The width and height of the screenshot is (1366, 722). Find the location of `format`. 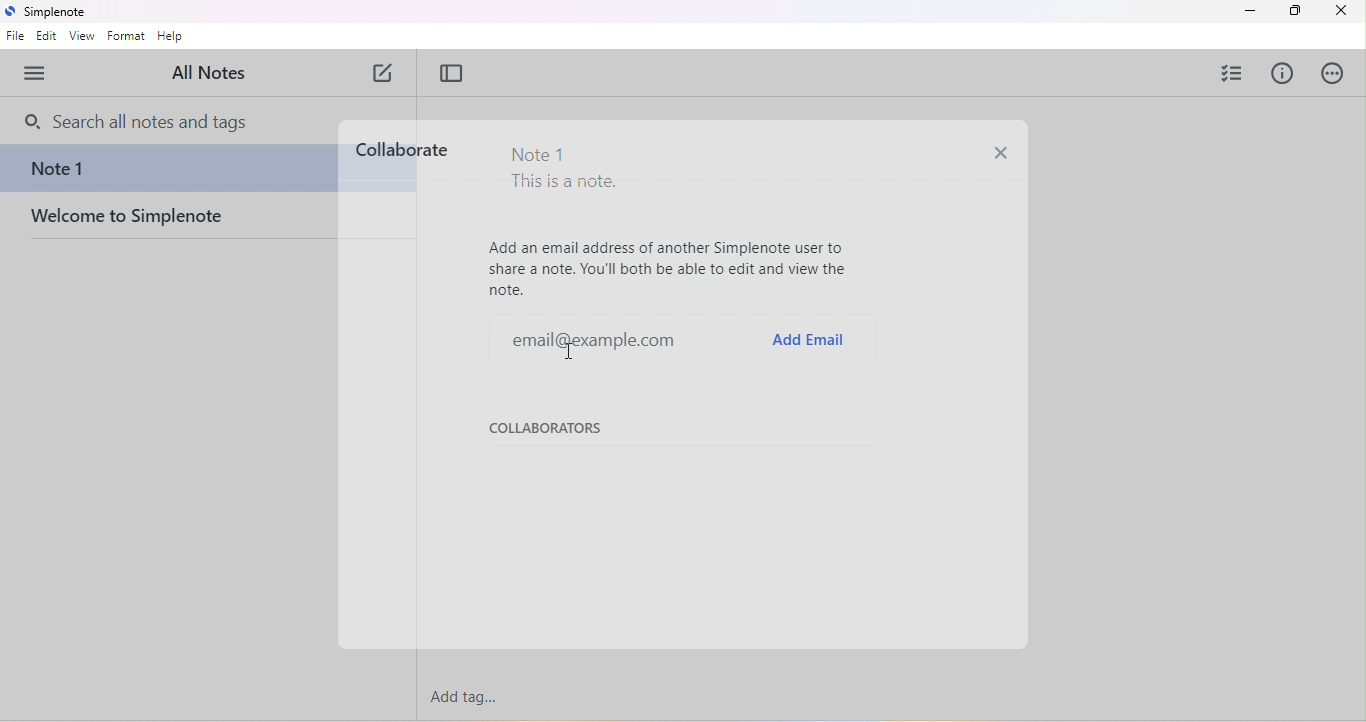

format is located at coordinates (126, 36).